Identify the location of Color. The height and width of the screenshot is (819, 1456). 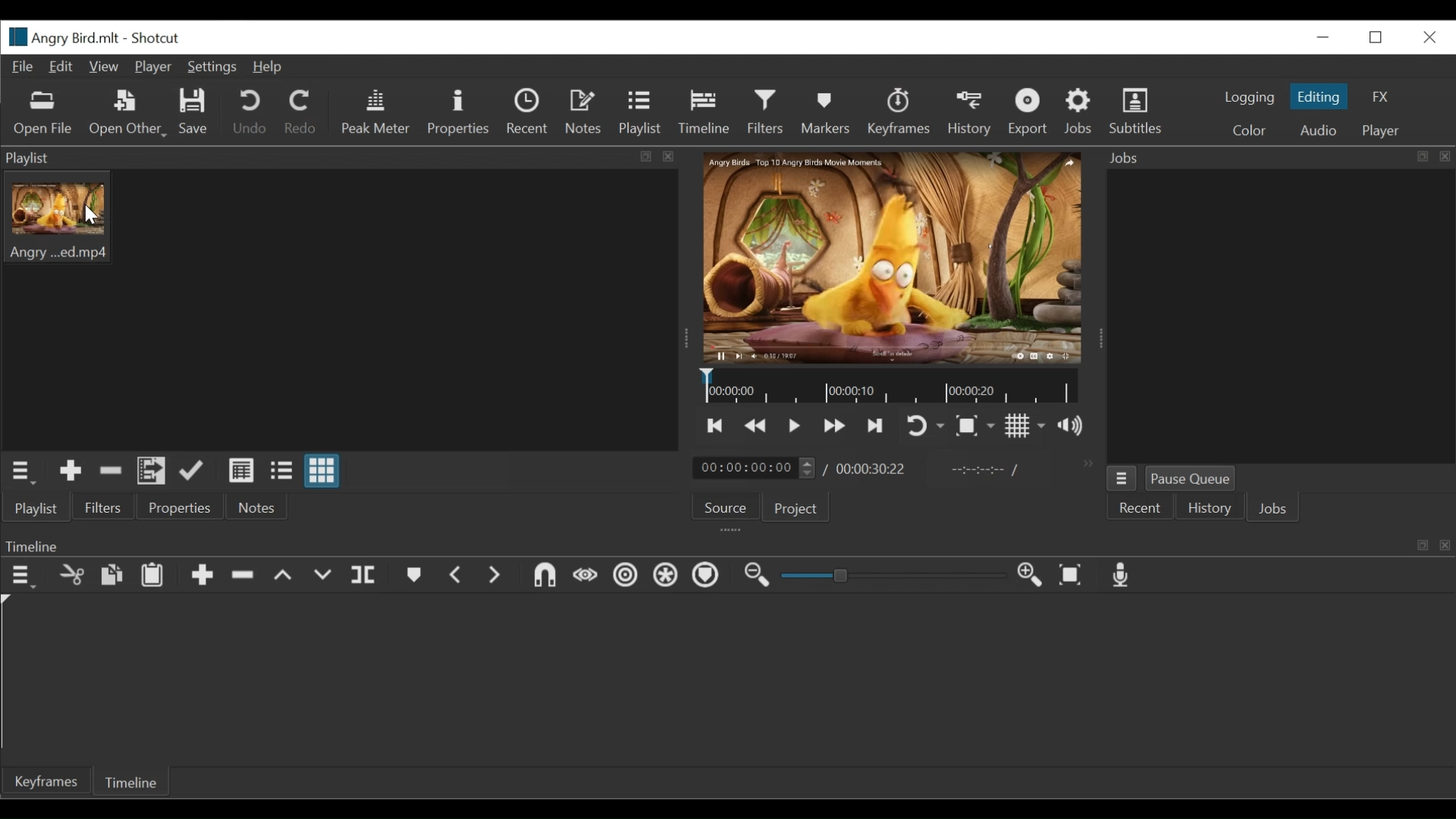
(1248, 130).